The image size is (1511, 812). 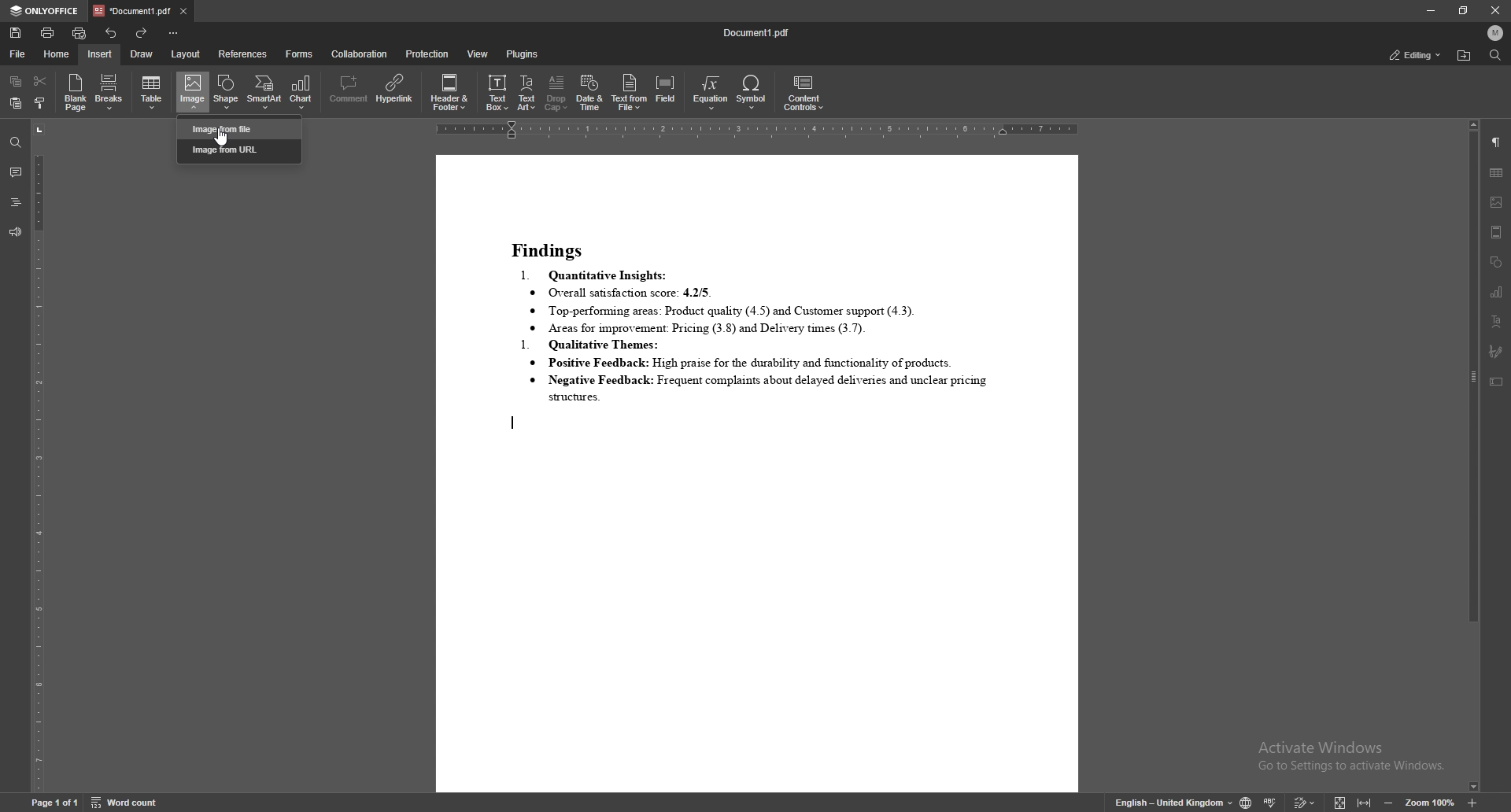 What do you see at coordinates (1465, 11) in the screenshot?
I see `resize` at bounding box center [1465, 11].